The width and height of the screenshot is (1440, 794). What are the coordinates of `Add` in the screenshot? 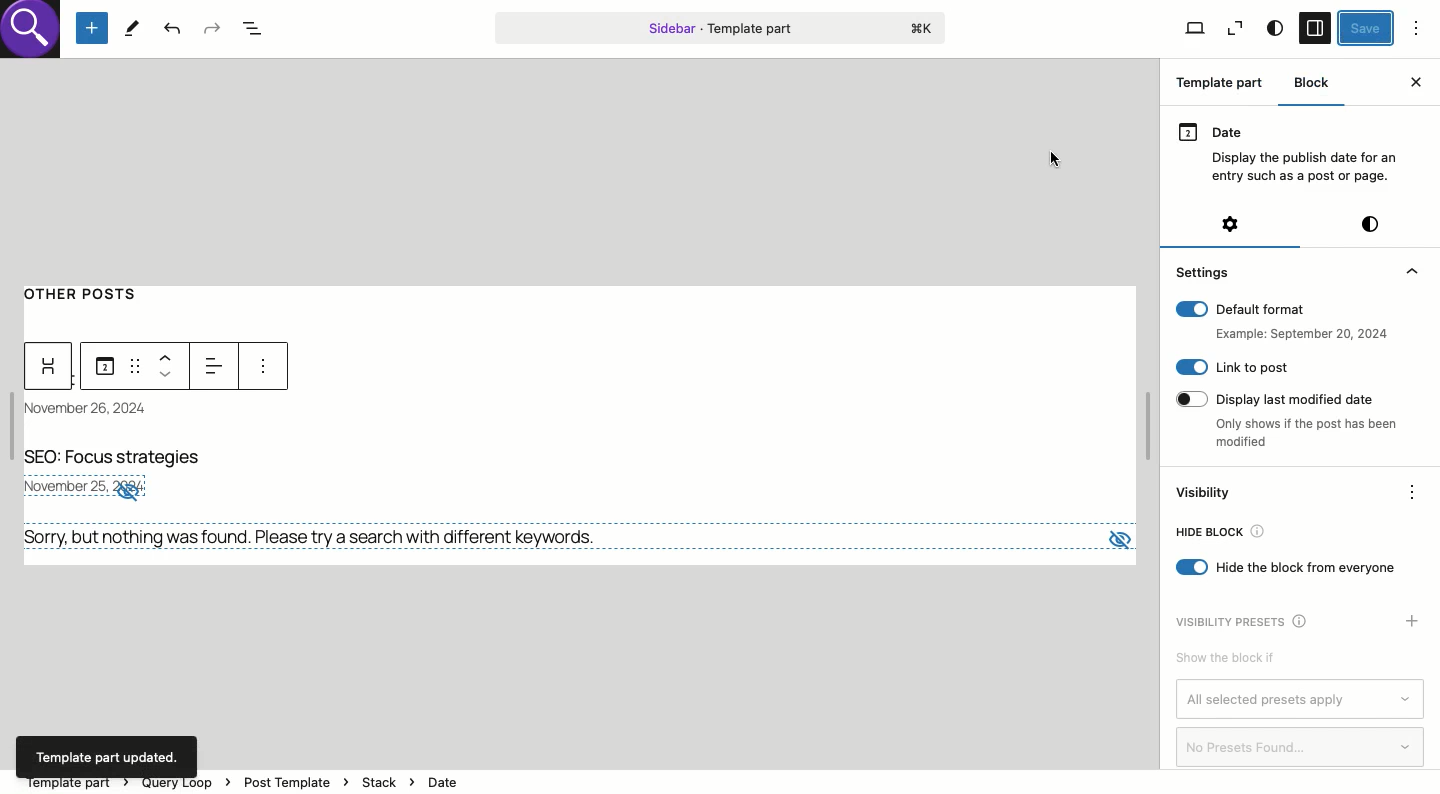 It's located at (1413, 621).